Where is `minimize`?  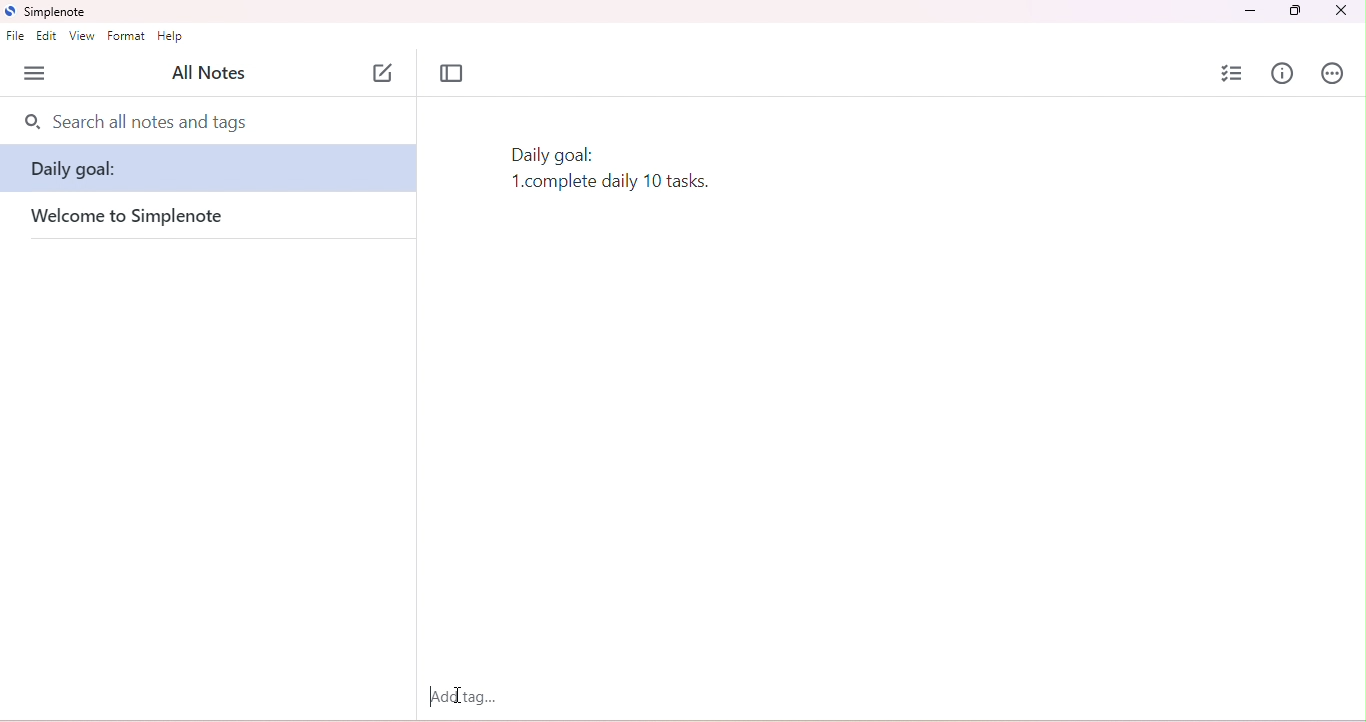
minimize is located at coordinates (1248, 12).